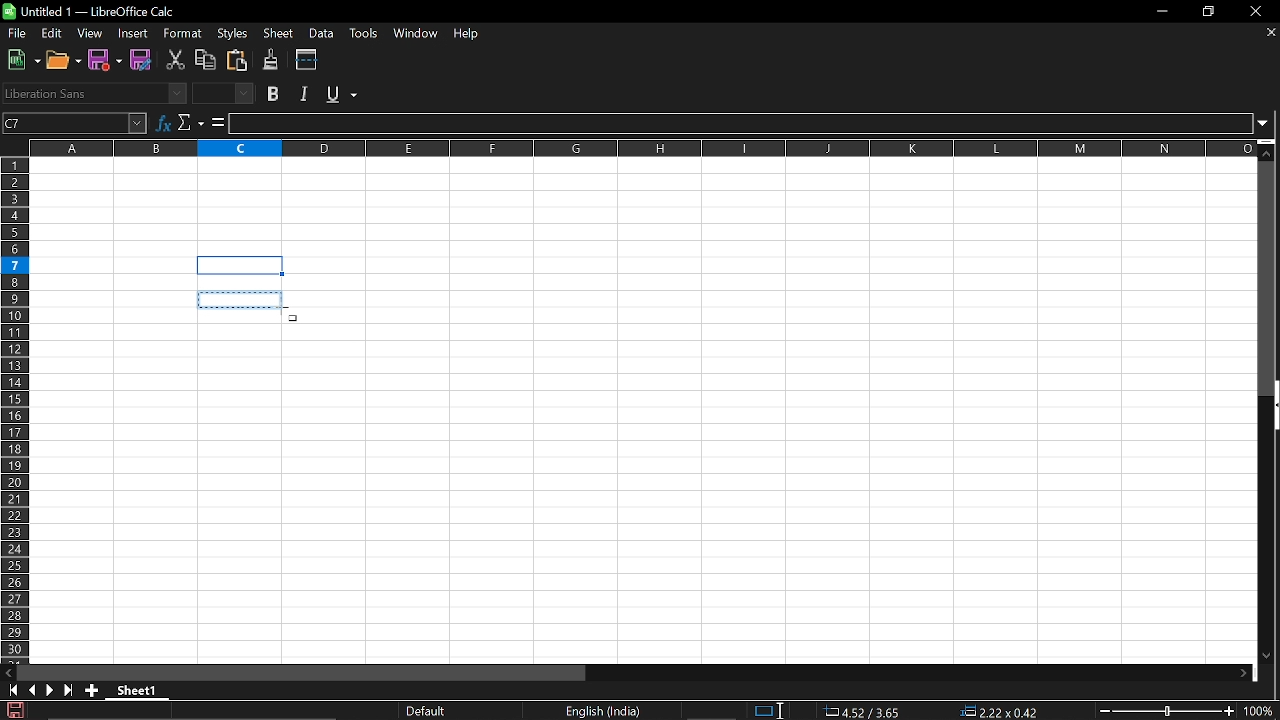 This screenshot has width=1280, height=720. What do you see at coordinates (16, 409) in the screenshot?
I see `Rows` at bounding box center [16, 409].